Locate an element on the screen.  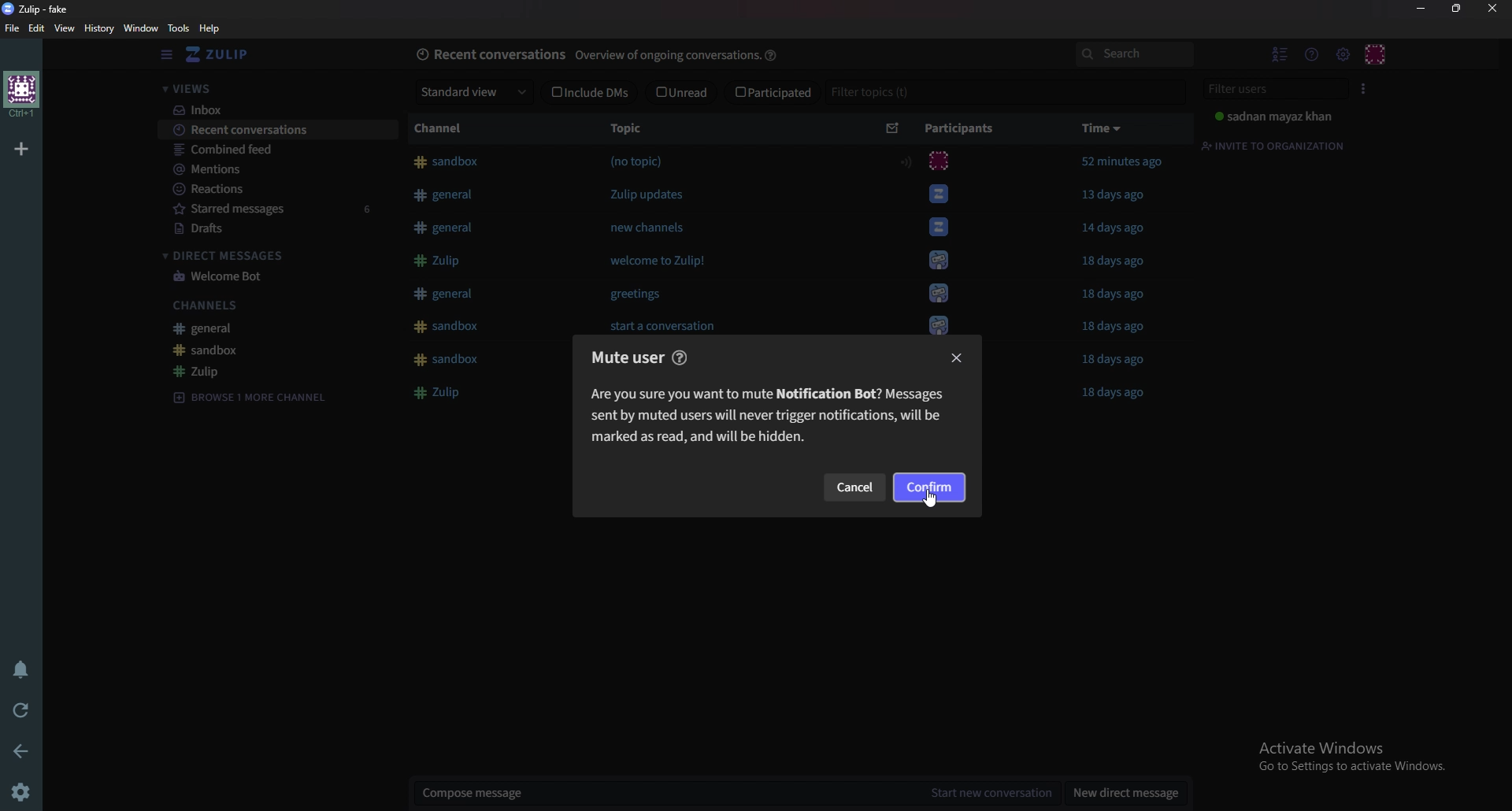
Drafts is located at coordinates (263, 229).